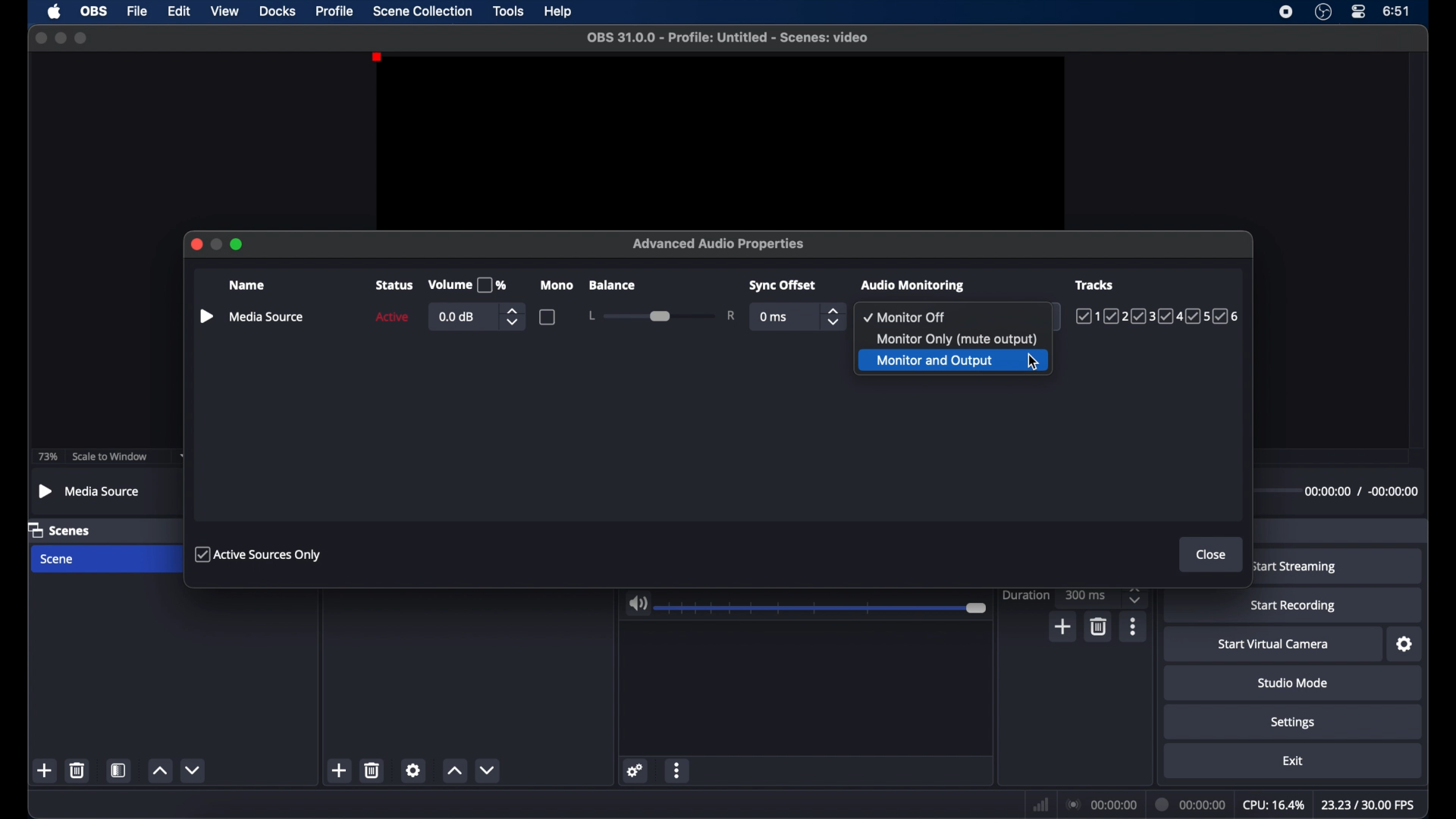 This screenshot has height=819, width=1456. I want to click on slider, so click(664, 315).